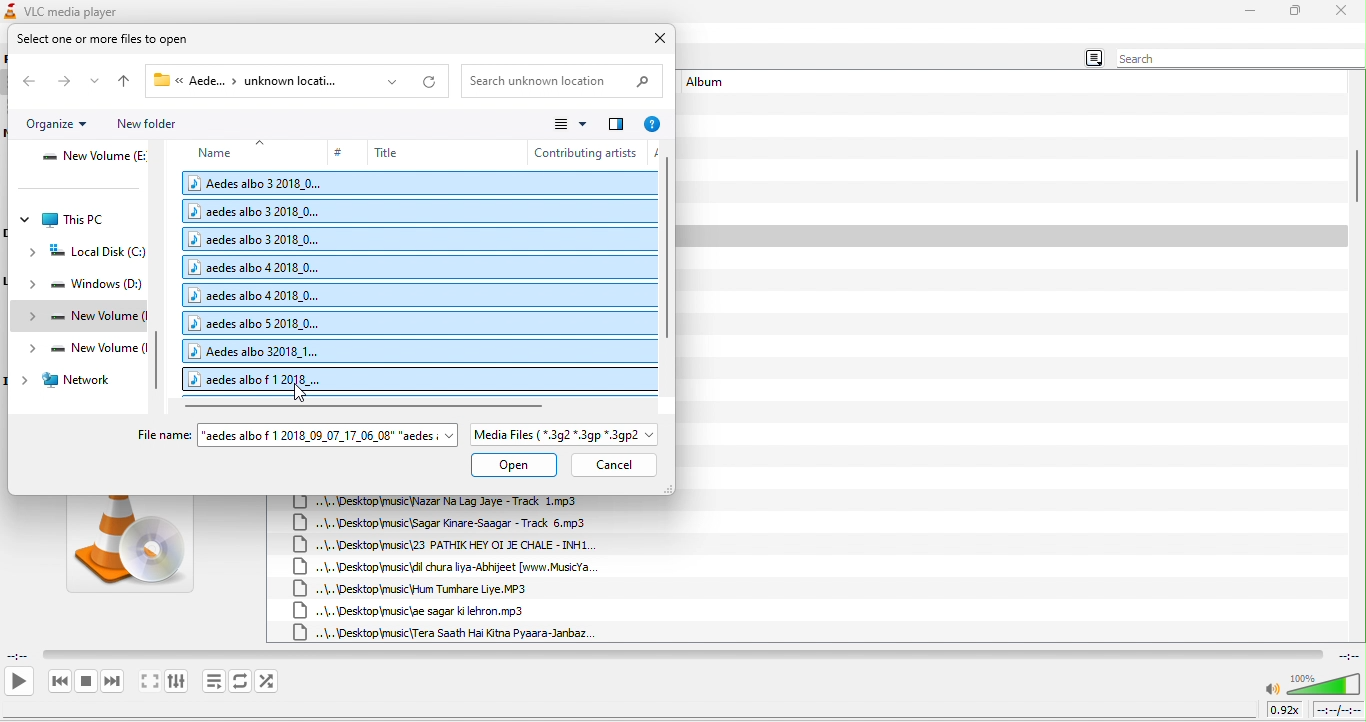 The height and width of the screenshot is (722, 1366). What do you see at coordinates (82, 349) in the screenshot?
I see `new volume (I` at bounding box center [82, 349].